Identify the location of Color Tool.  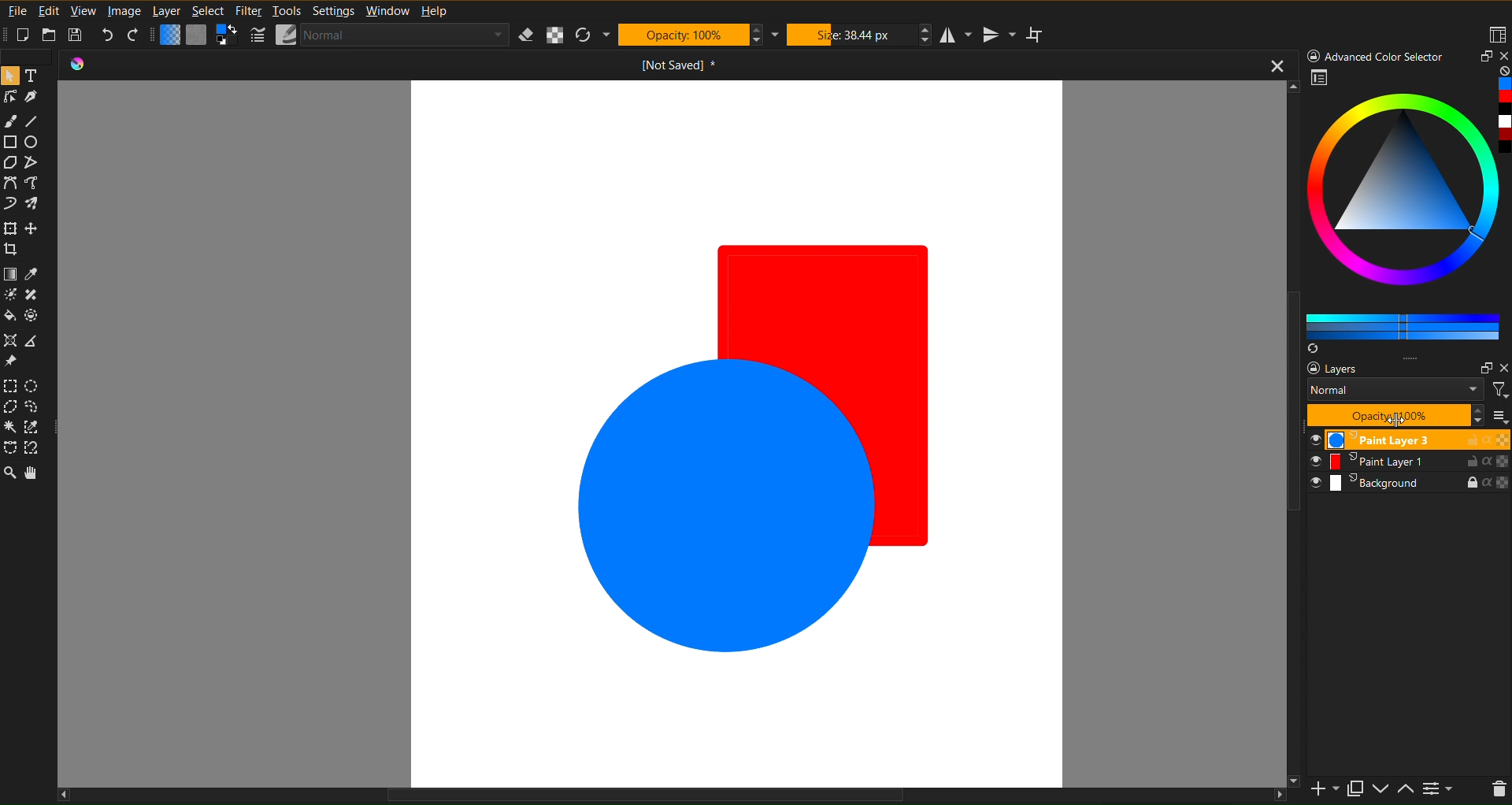
(11, 296).